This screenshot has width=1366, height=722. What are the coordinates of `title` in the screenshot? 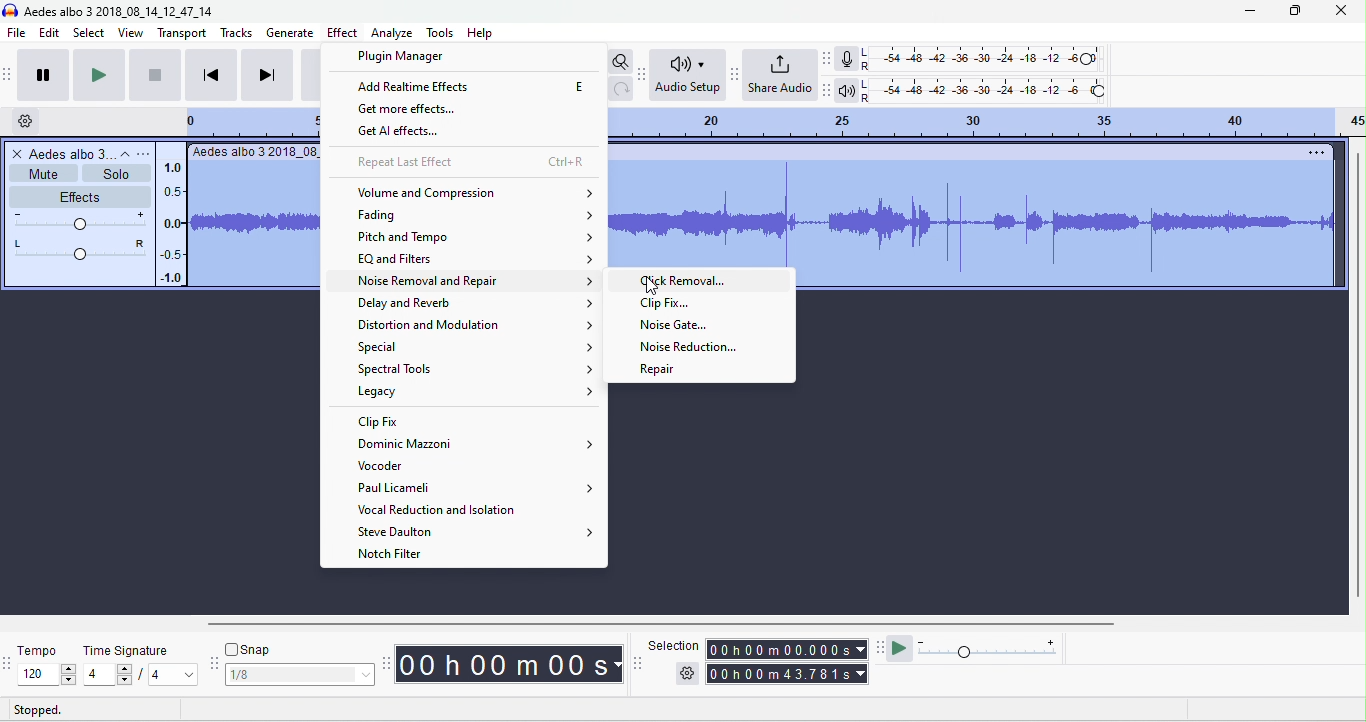 It's located at (119, 10).